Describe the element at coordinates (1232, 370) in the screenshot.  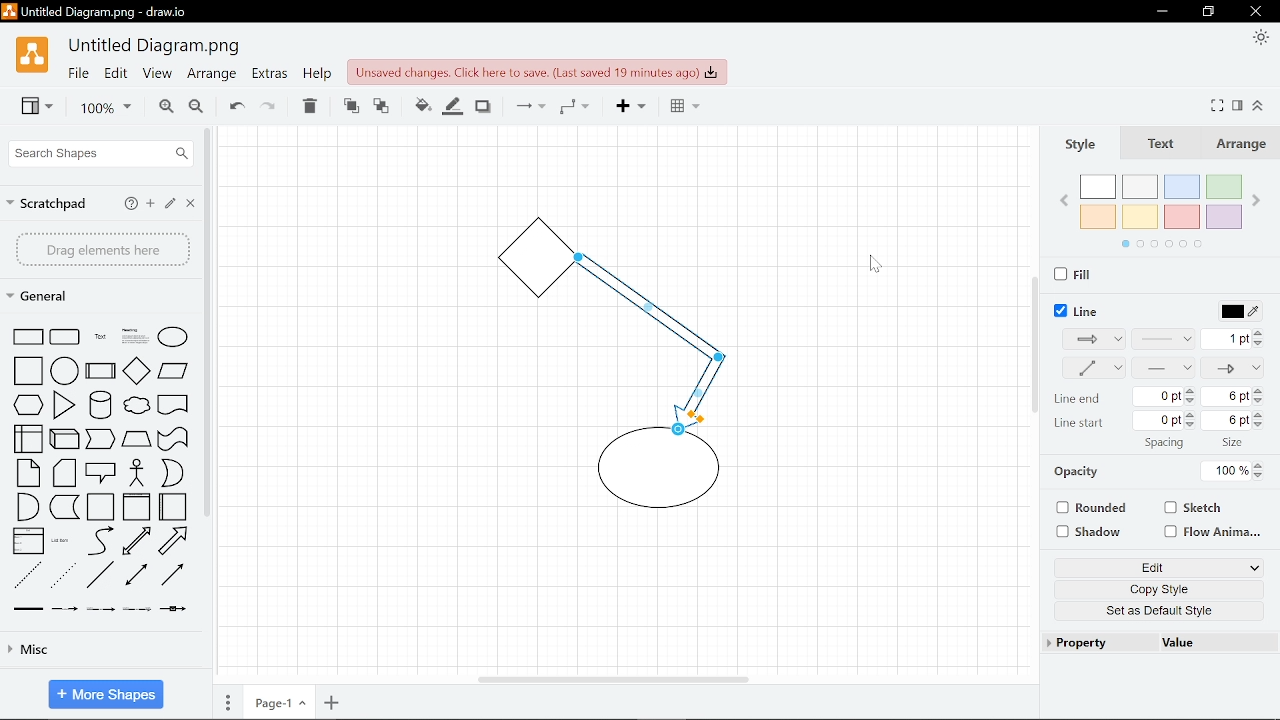
I see `Arrow Style Selector` at that location.